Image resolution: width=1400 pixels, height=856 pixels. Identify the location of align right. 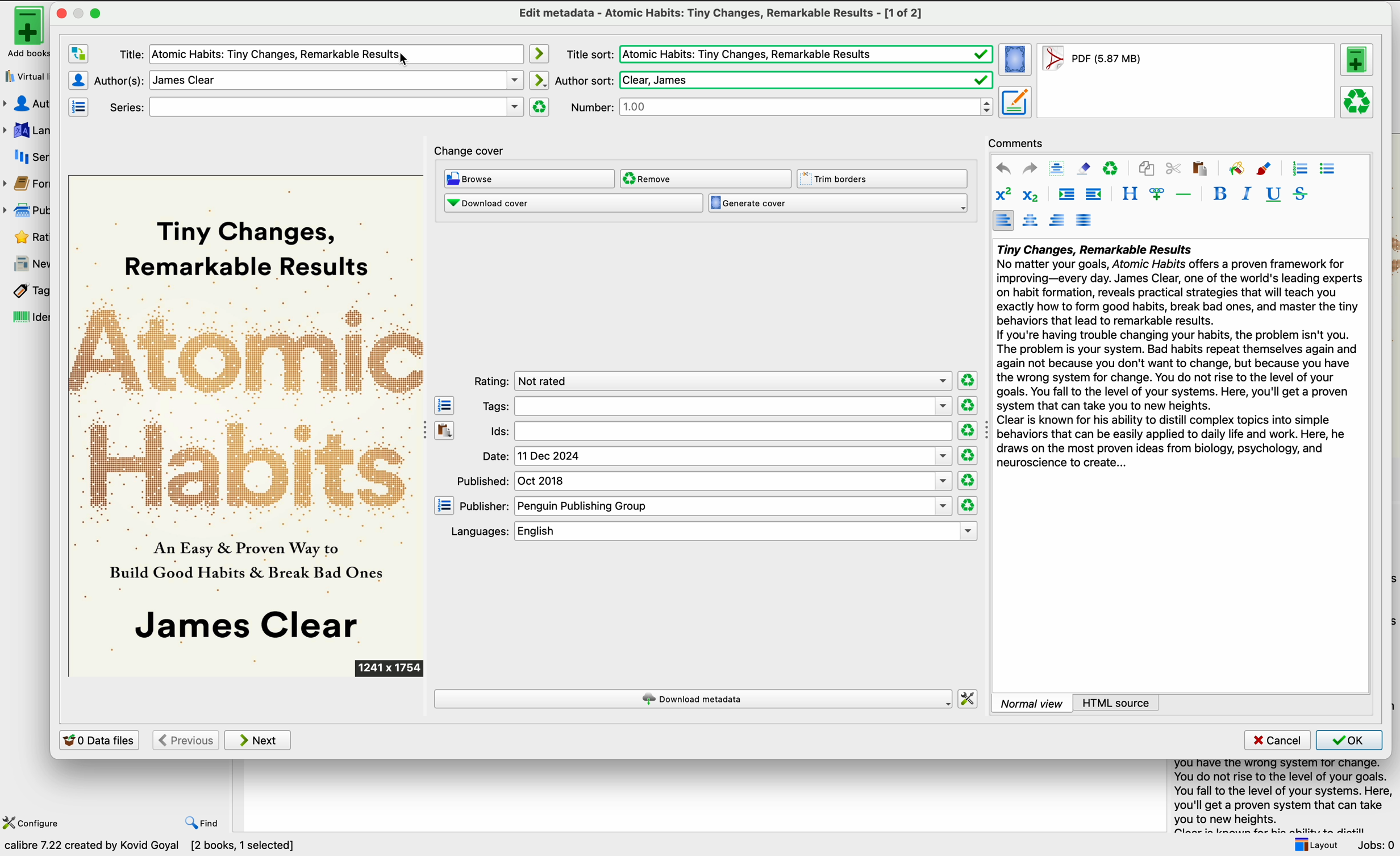
(1058, 220).